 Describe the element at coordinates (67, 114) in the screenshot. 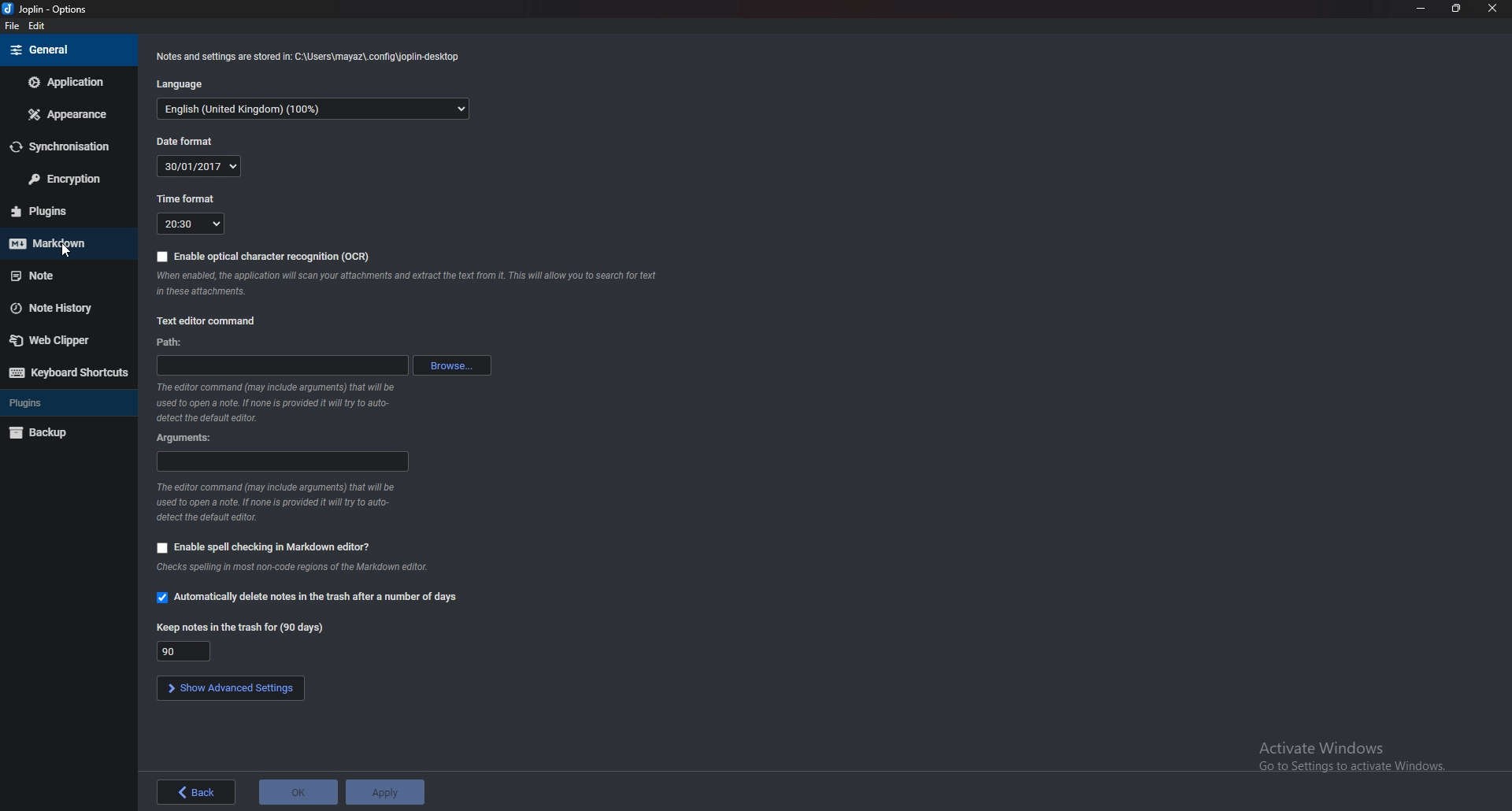

I see `appearance` at that location.